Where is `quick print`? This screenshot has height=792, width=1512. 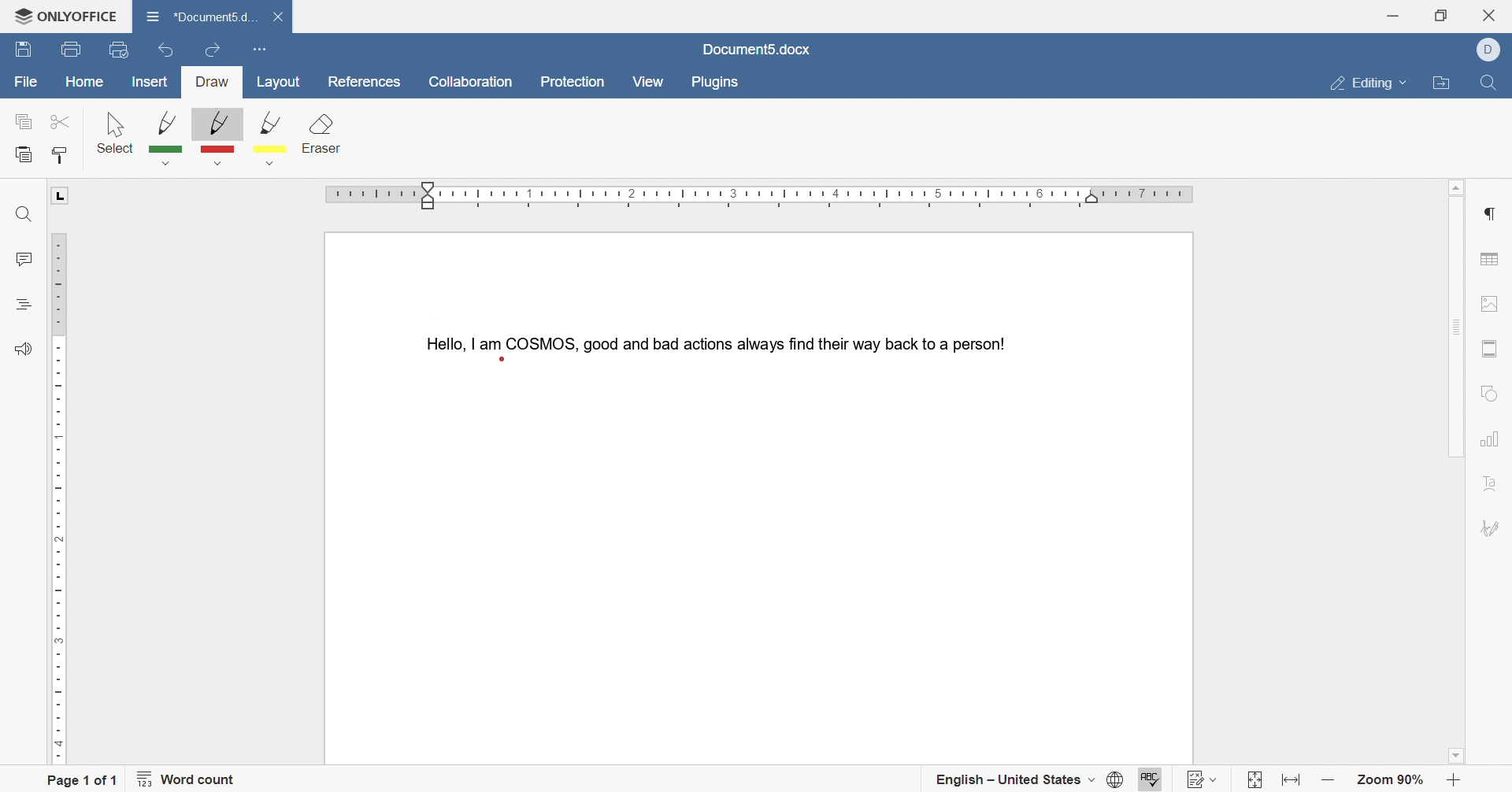 quick print is located at coordinates (121, 49).